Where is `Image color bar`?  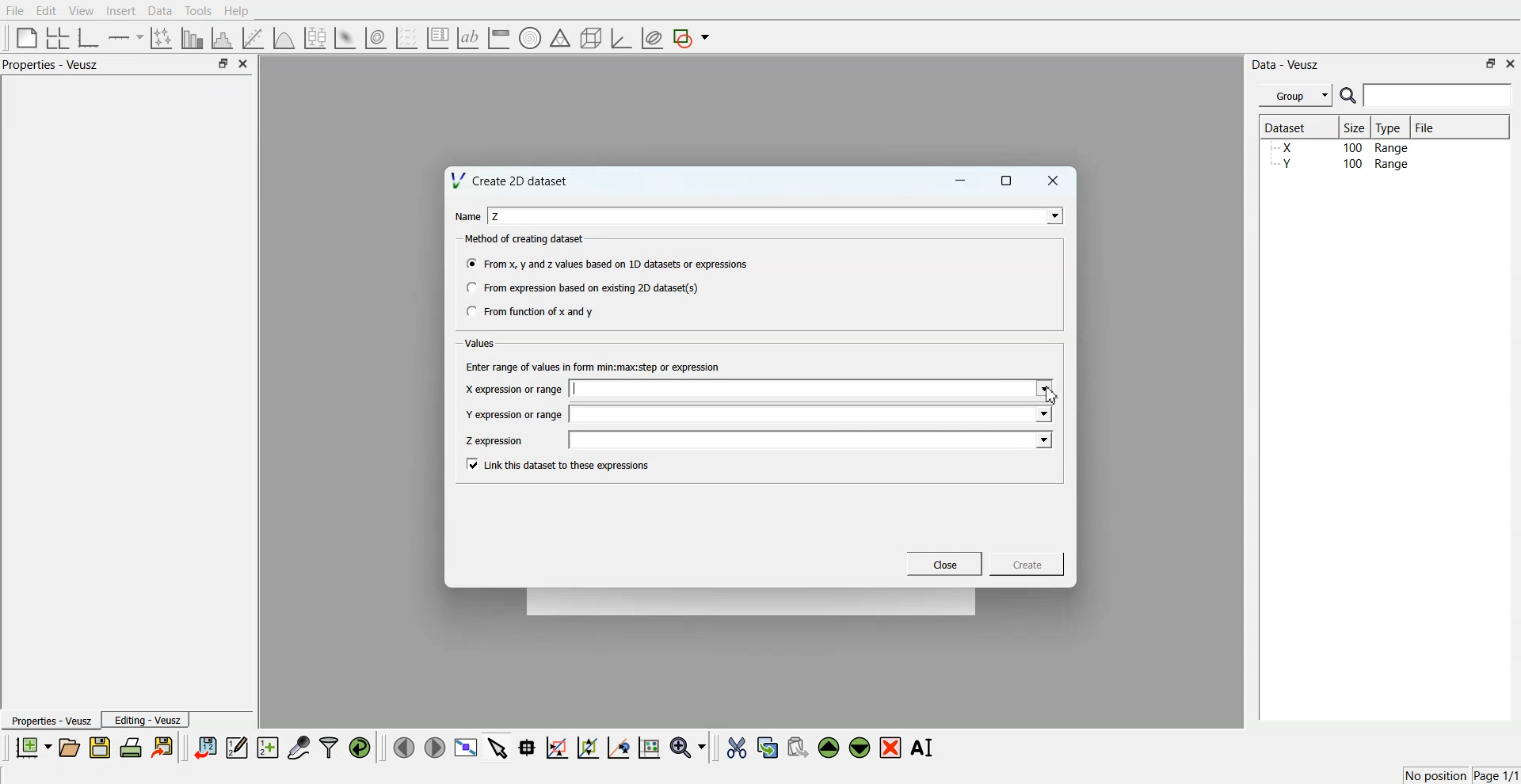
Image color bar is located at coordinates (499, 37).